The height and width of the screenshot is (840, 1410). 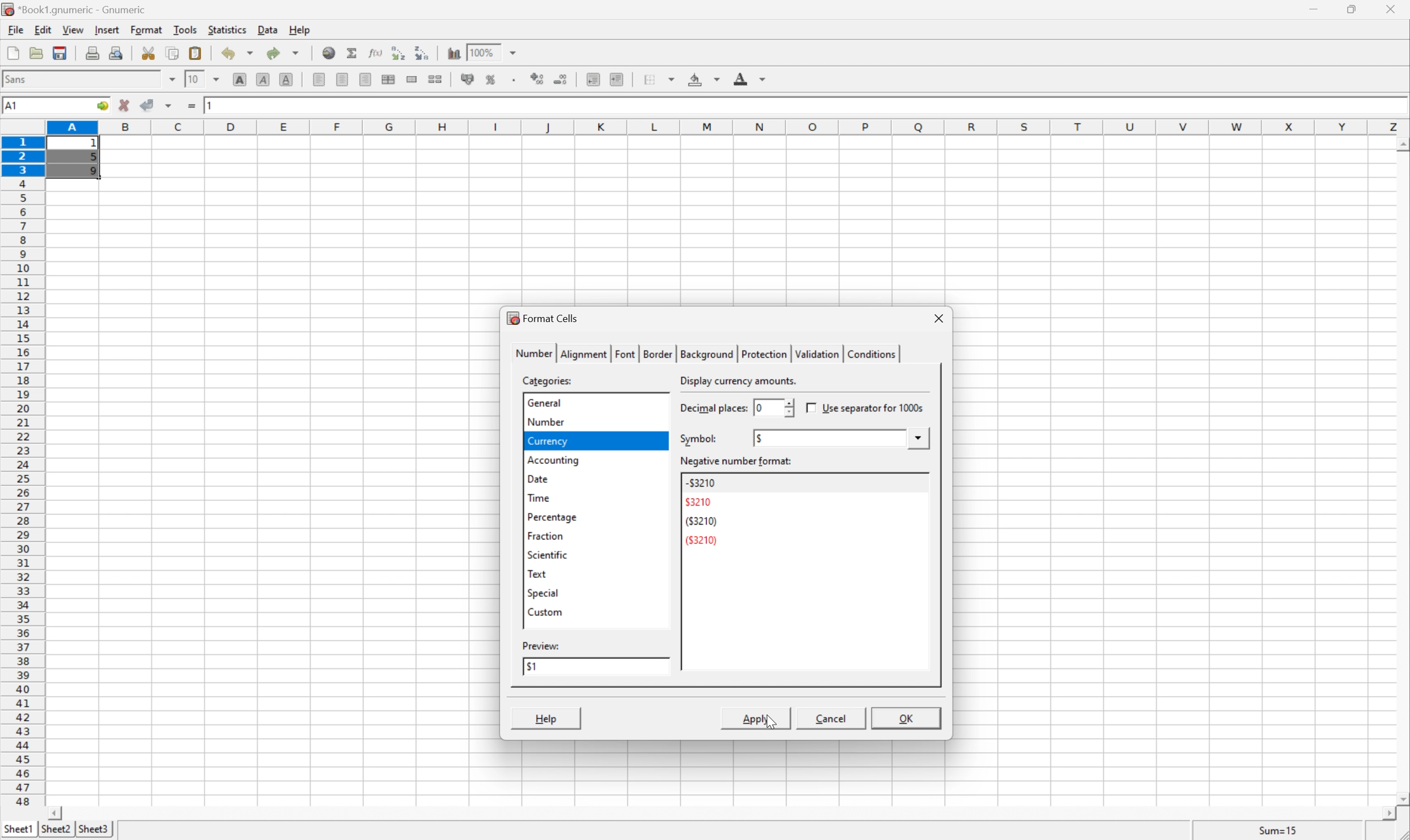 I want to click on column names, so click(x=730, y=128).